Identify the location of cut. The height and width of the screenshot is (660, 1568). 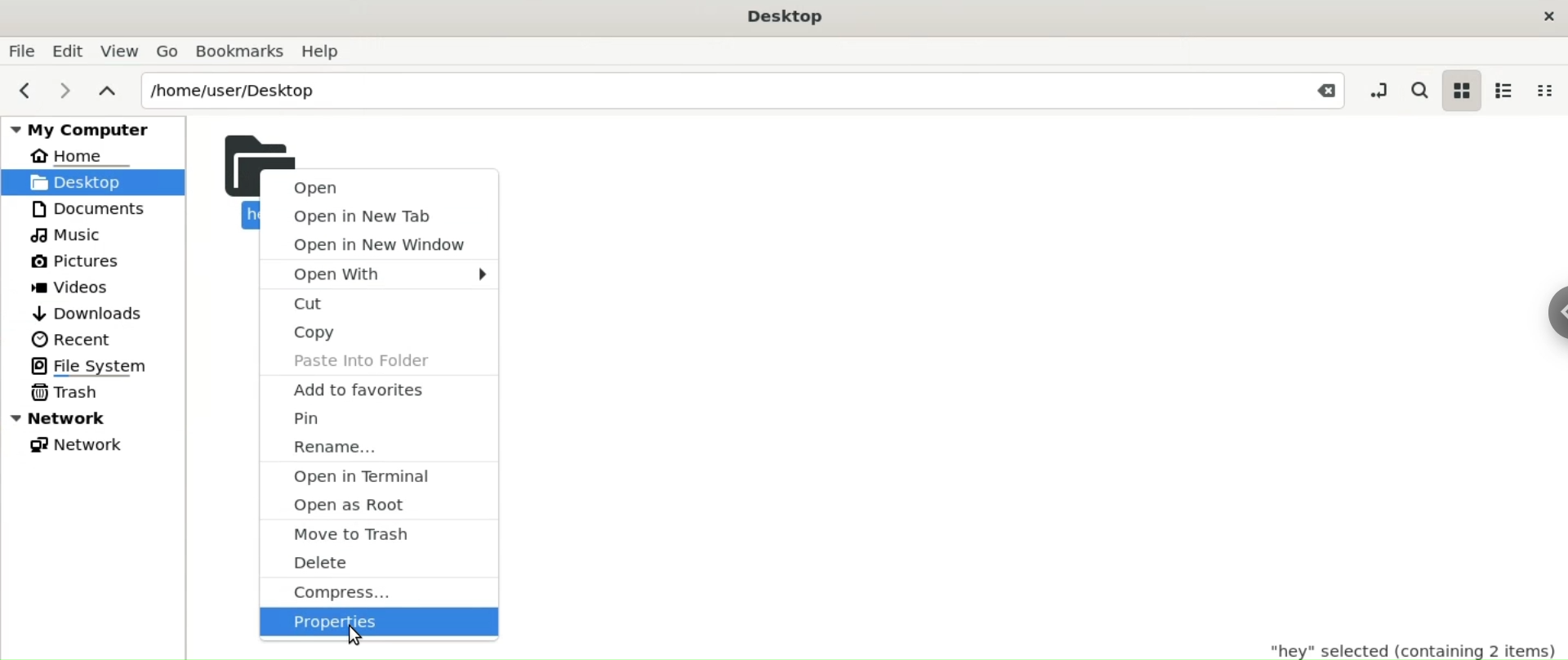
(376, 302).